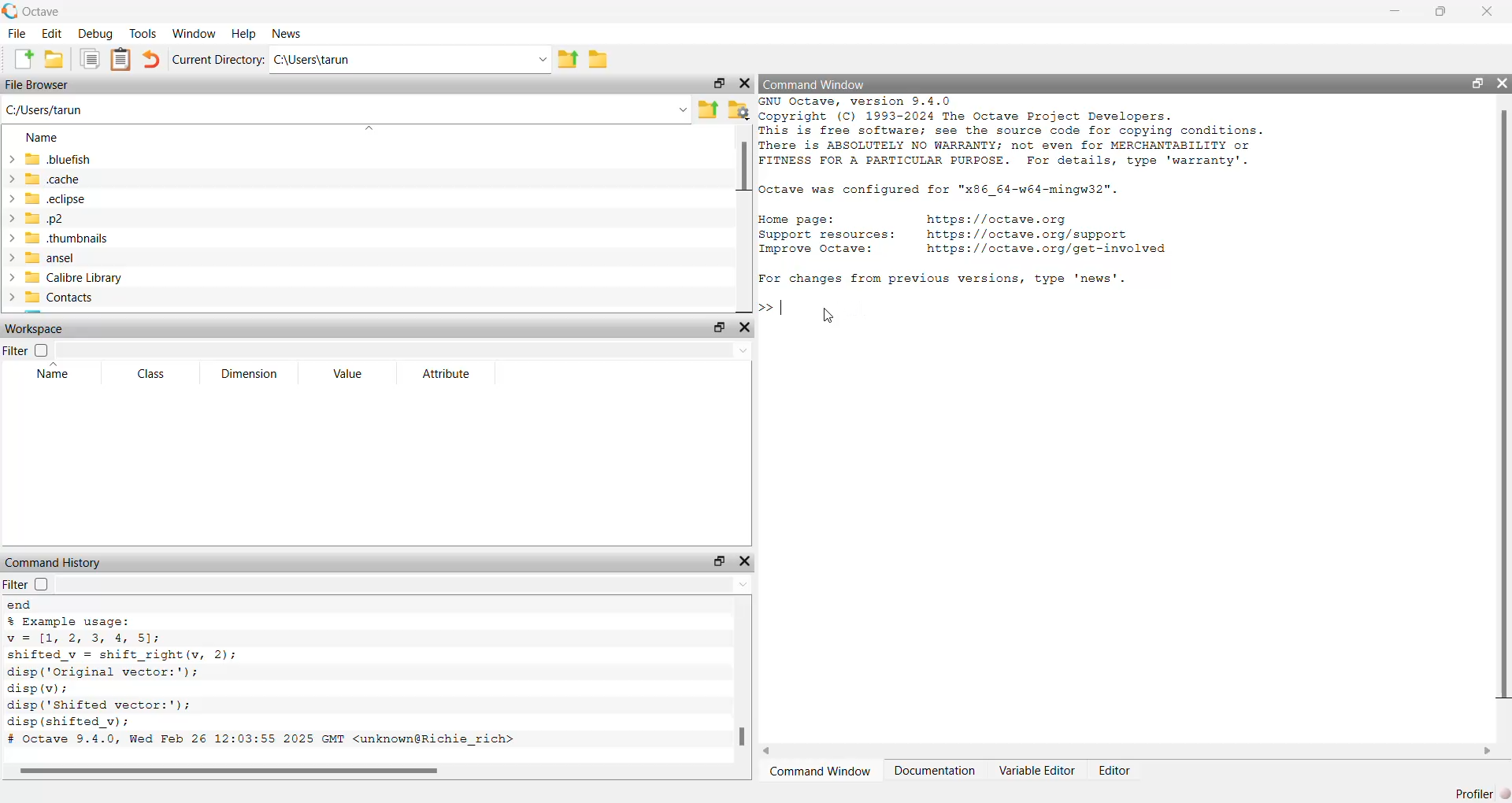  Describe the element at coordinates (193, 622) in the screenshot. I see `% Example usage` at that location.